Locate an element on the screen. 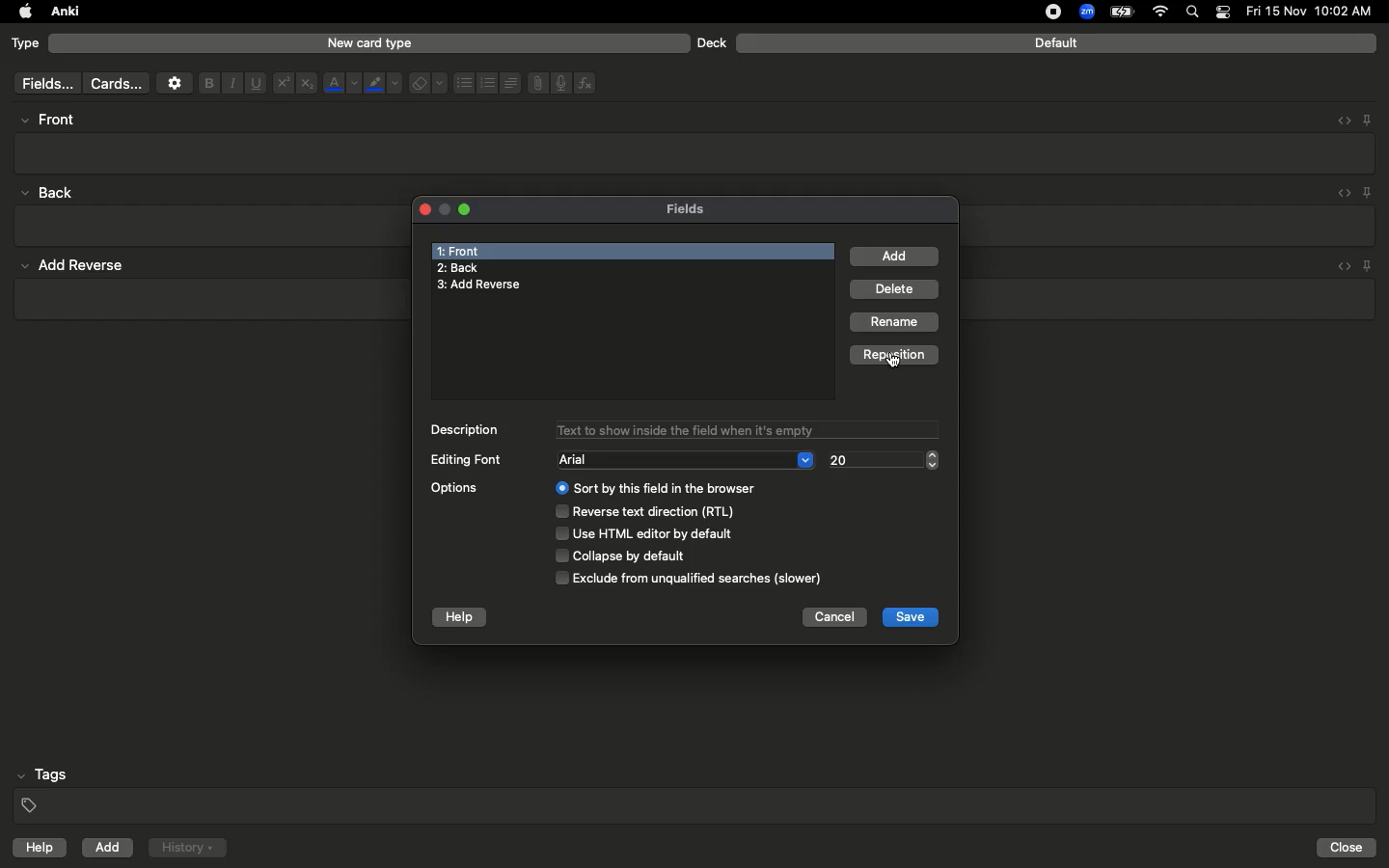 The height and width of the screenshot is (868, 1389). Editing font is located at coordinates (469, 459).